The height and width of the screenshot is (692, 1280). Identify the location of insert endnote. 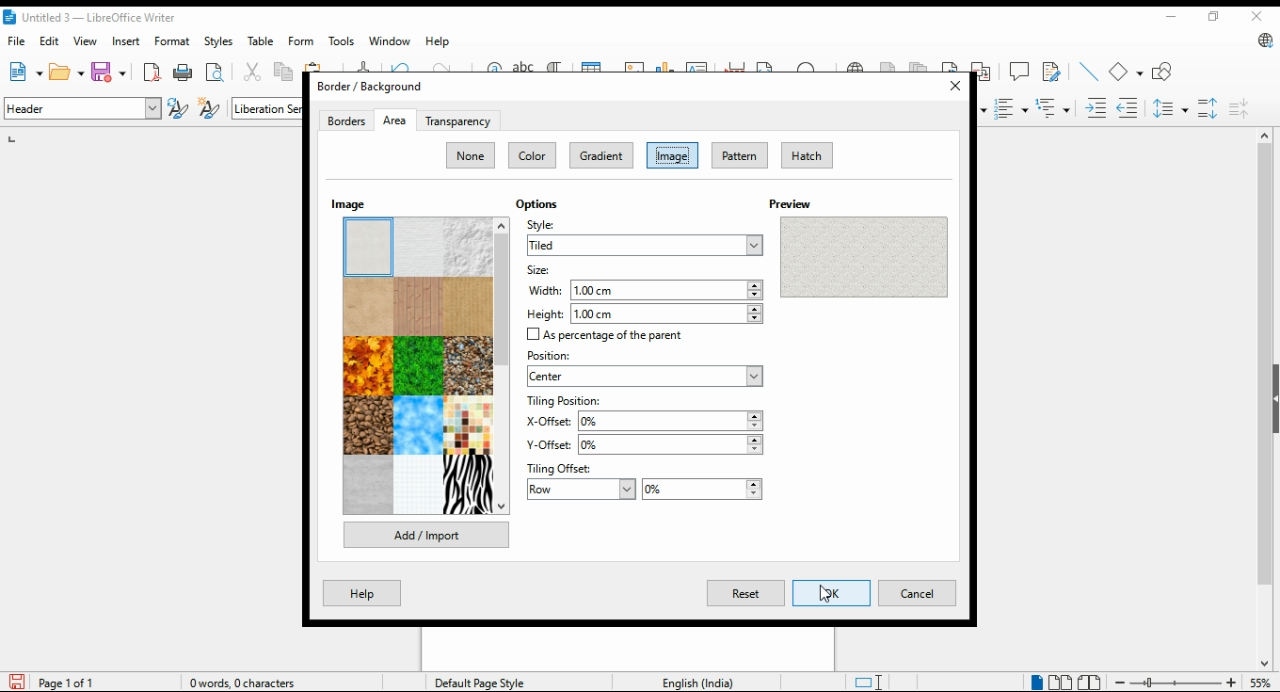
(921, 66).